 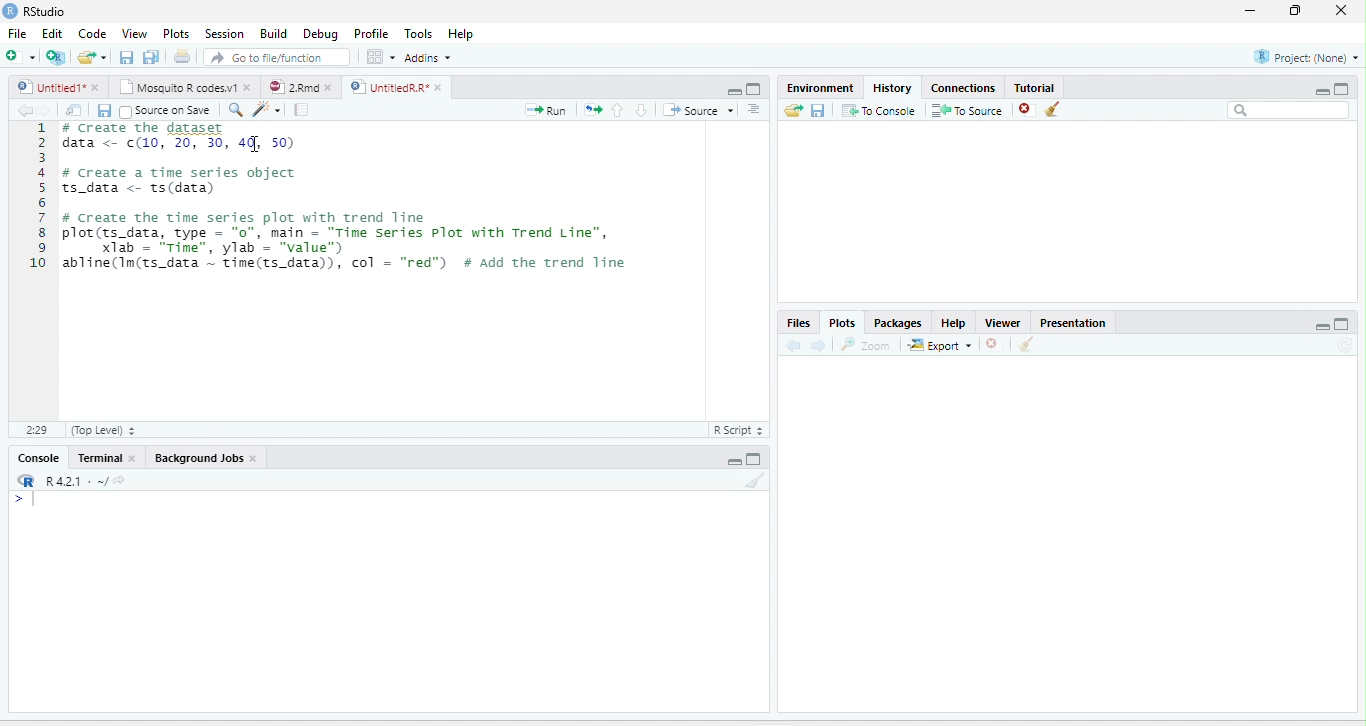 What do you see at coordinates (254, 144) in the screenshot?
I see `cursor` at bounding box center [254, 144].